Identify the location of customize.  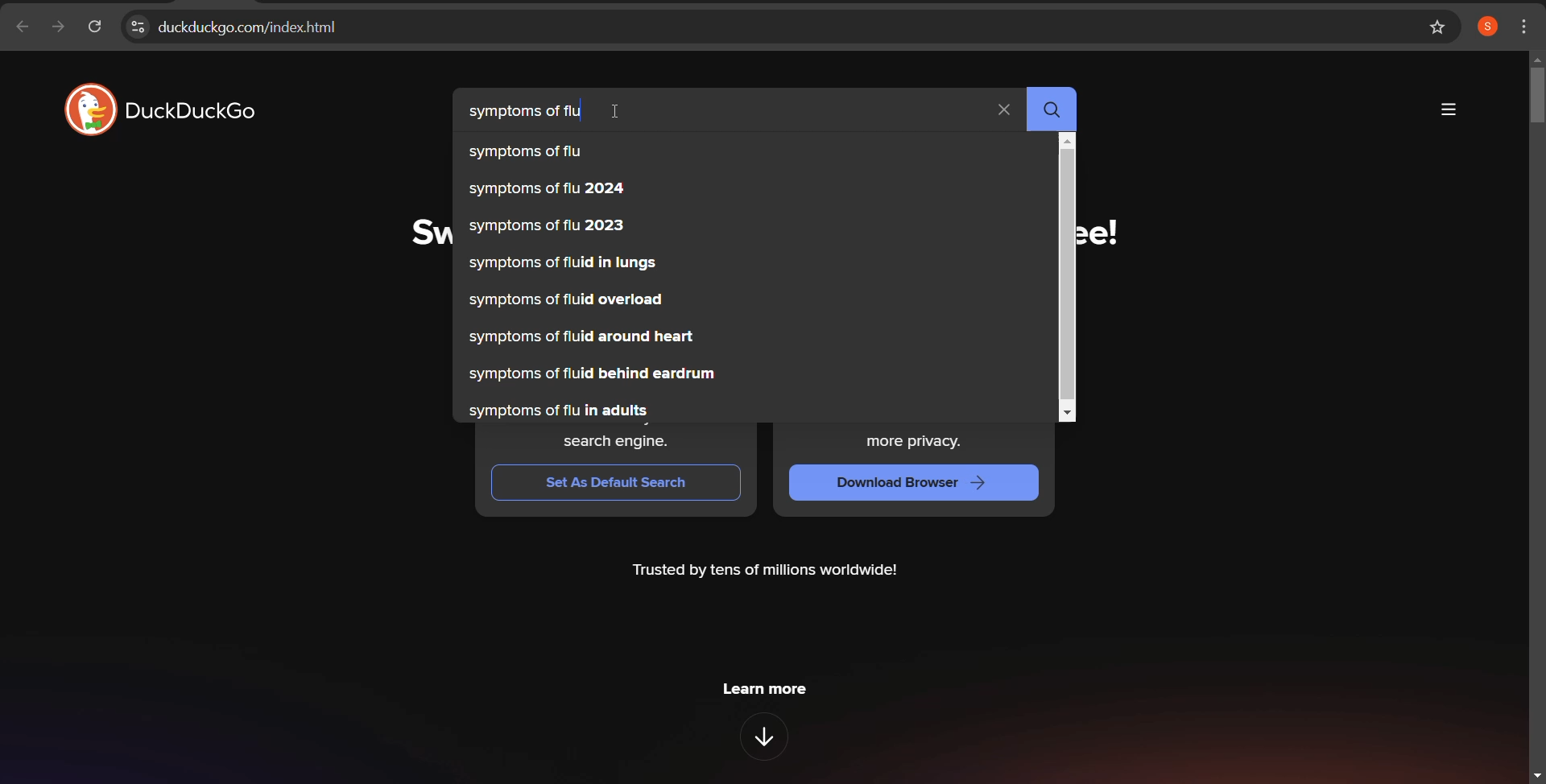
(1526, 25).